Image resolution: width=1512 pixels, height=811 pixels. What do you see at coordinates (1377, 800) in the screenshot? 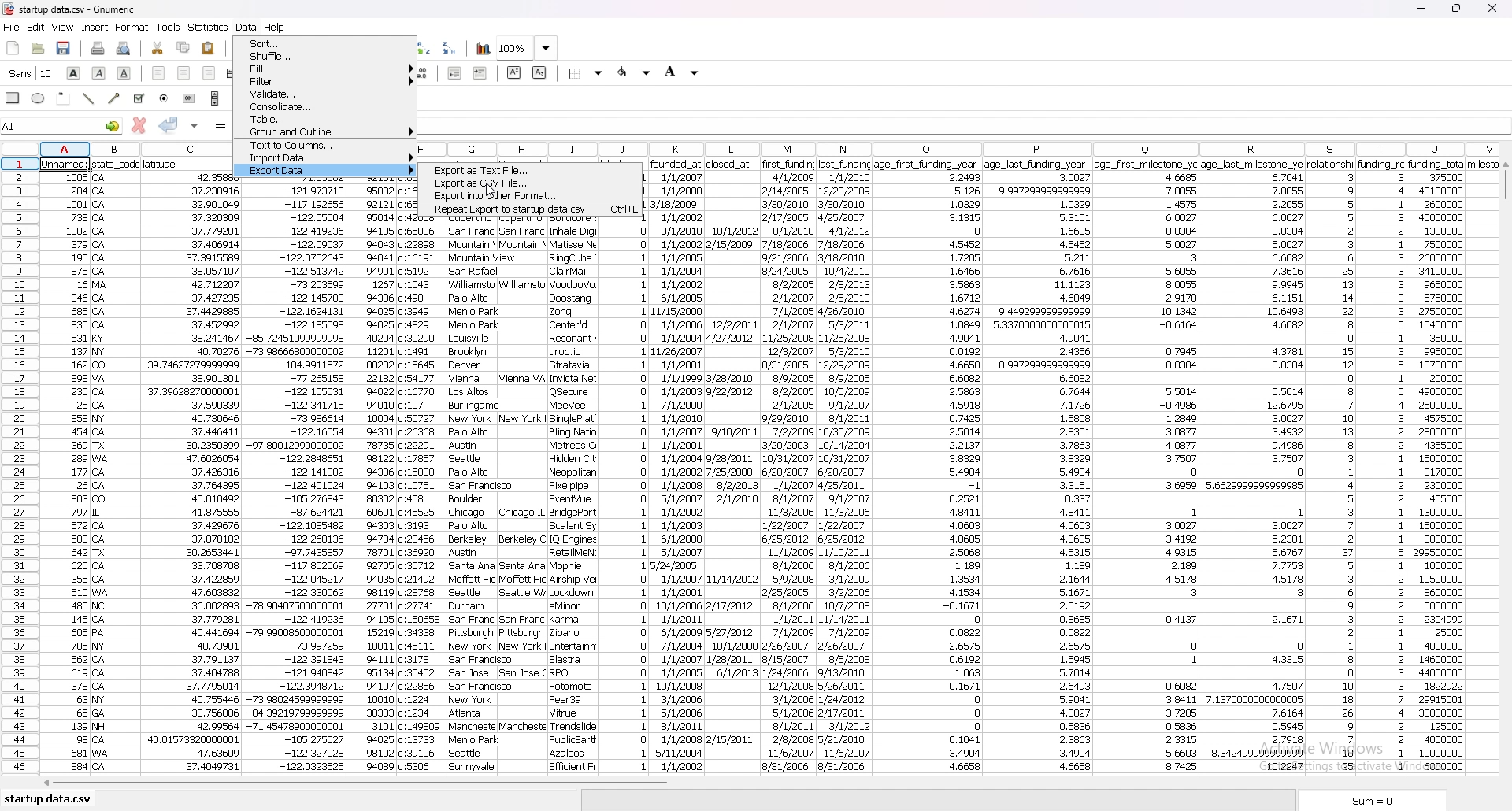
I see `sum` at bounding box center [1377, 800].